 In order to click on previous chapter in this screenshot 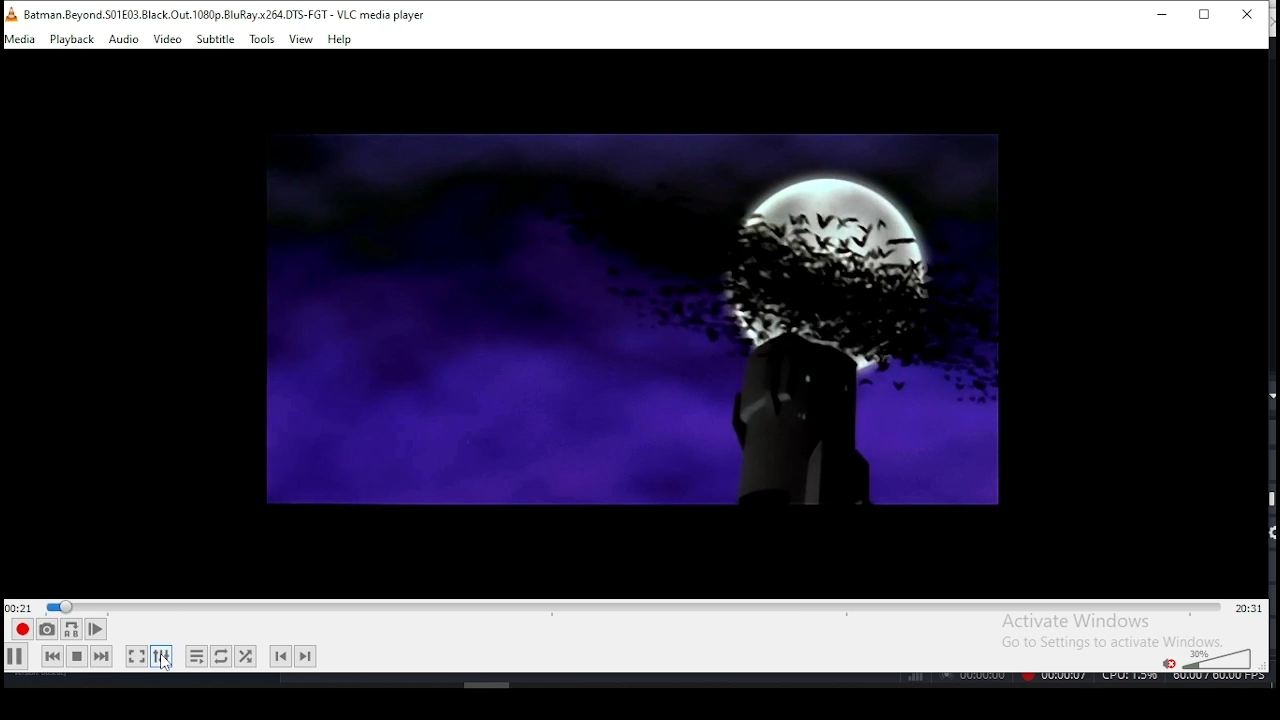, I will do `click(279, 657)`.